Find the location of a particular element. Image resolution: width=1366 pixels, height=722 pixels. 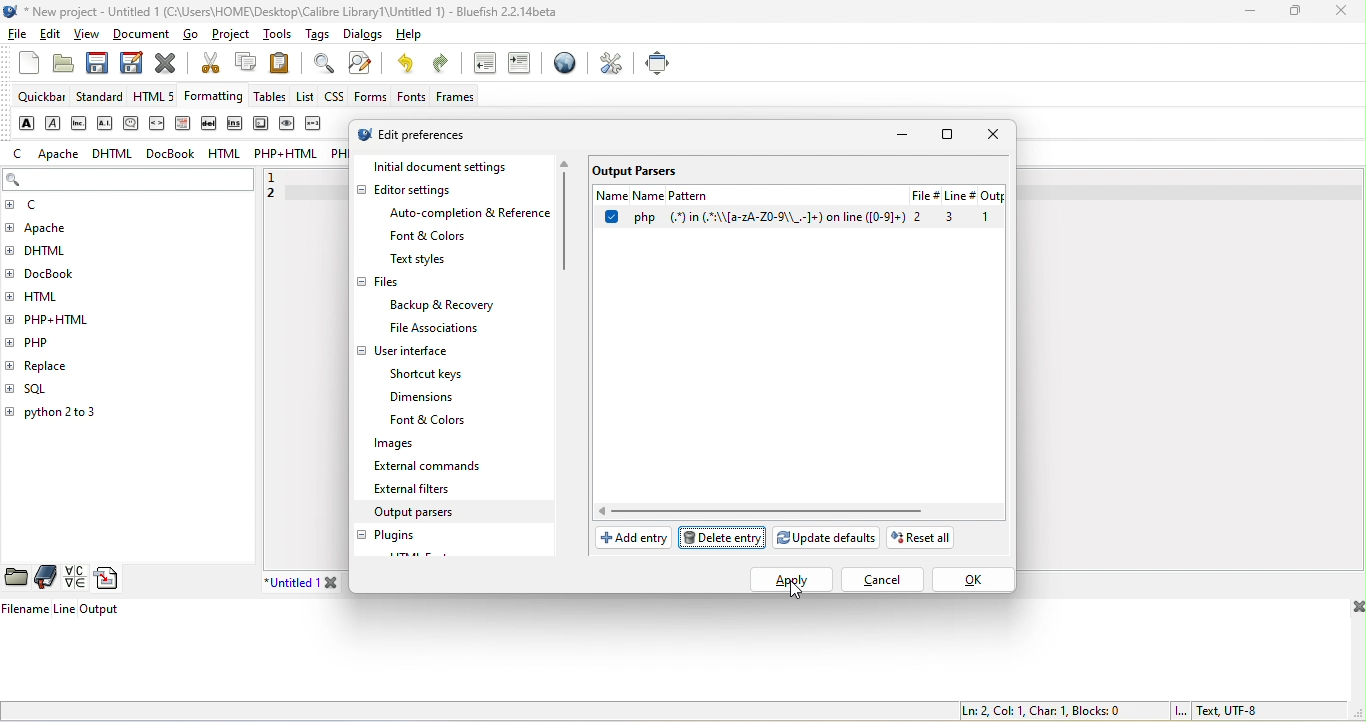

go is located at coordinates (197, 37).